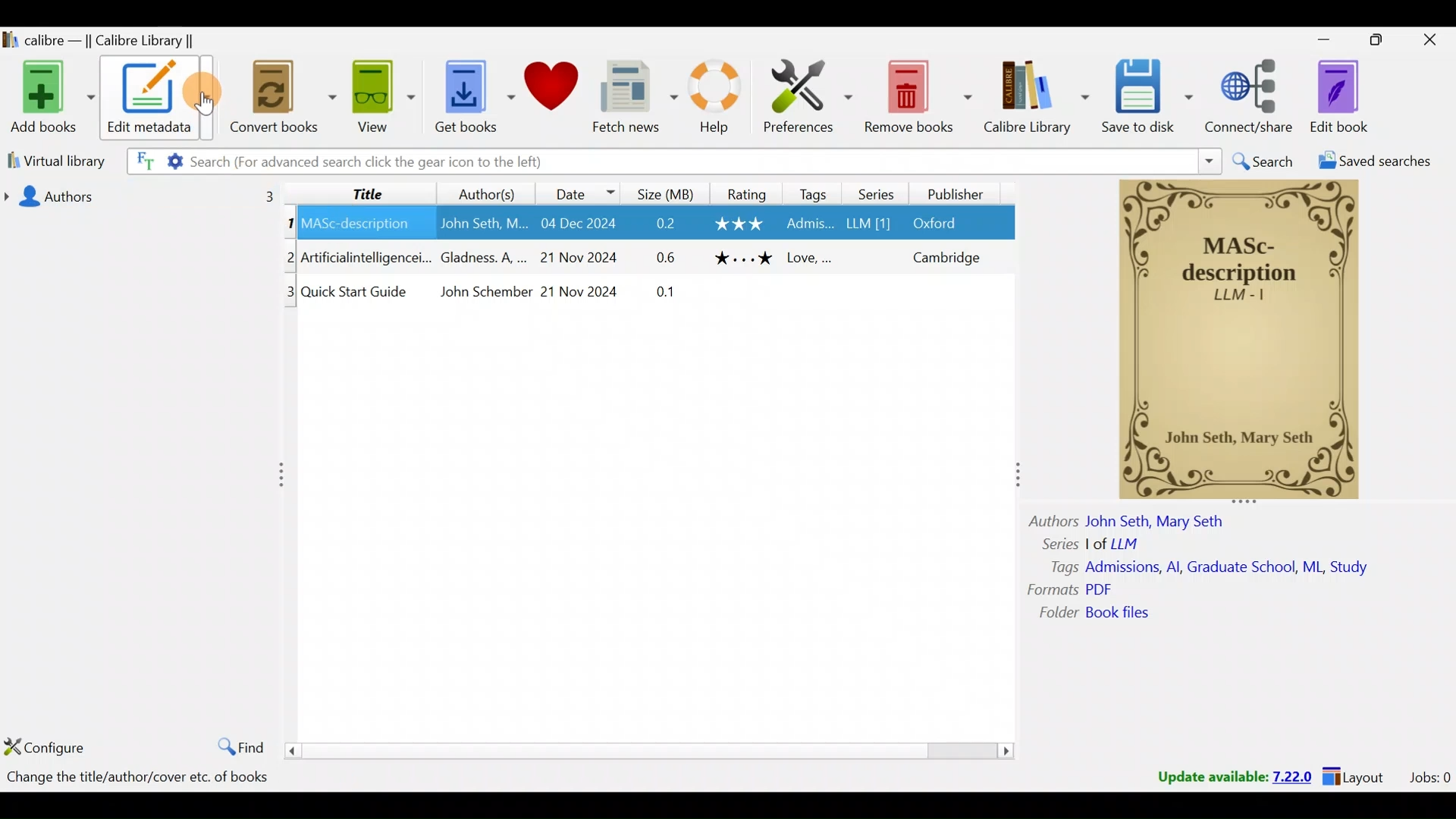 This screenshot has height=819, width=1456. Describe the element at coordinates (1325, 41) in the screenshot. I see `Minimise` at that location.